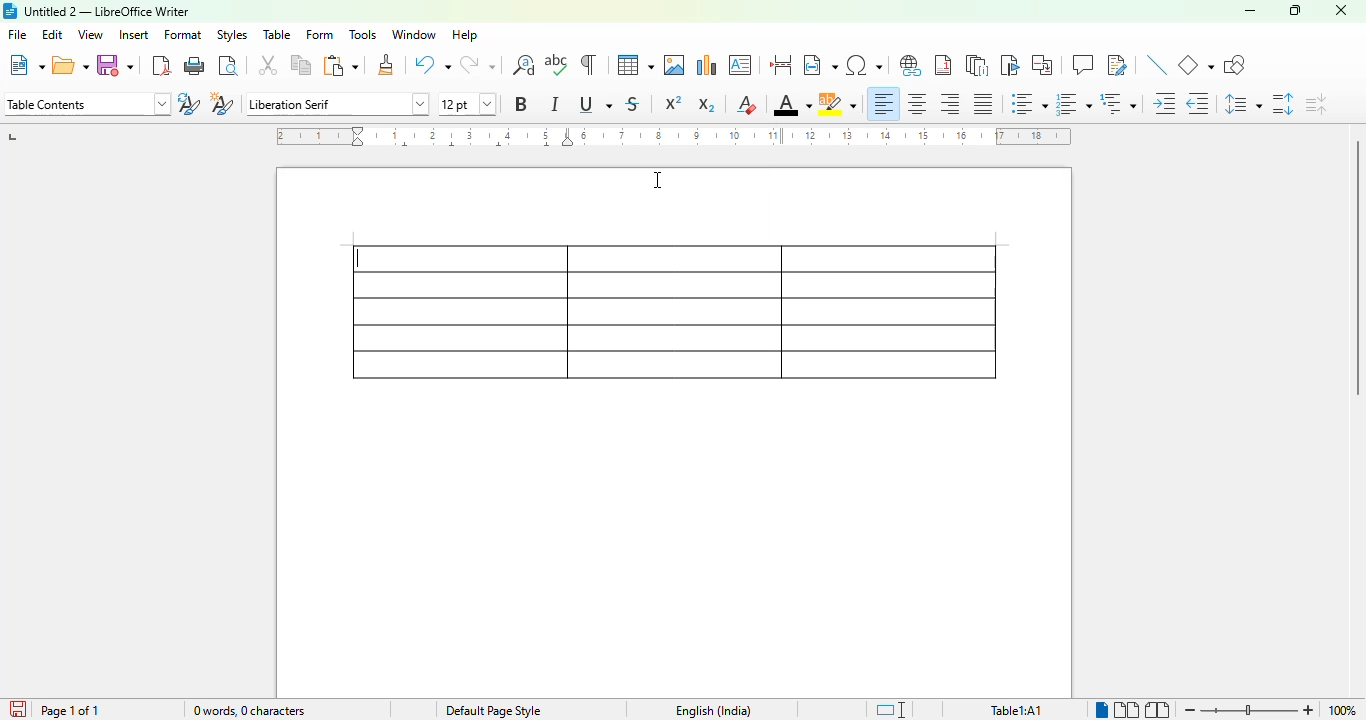 The width and height of the screenshot is (1366, 720). I want to click on zoom in, so click(1307, 711).